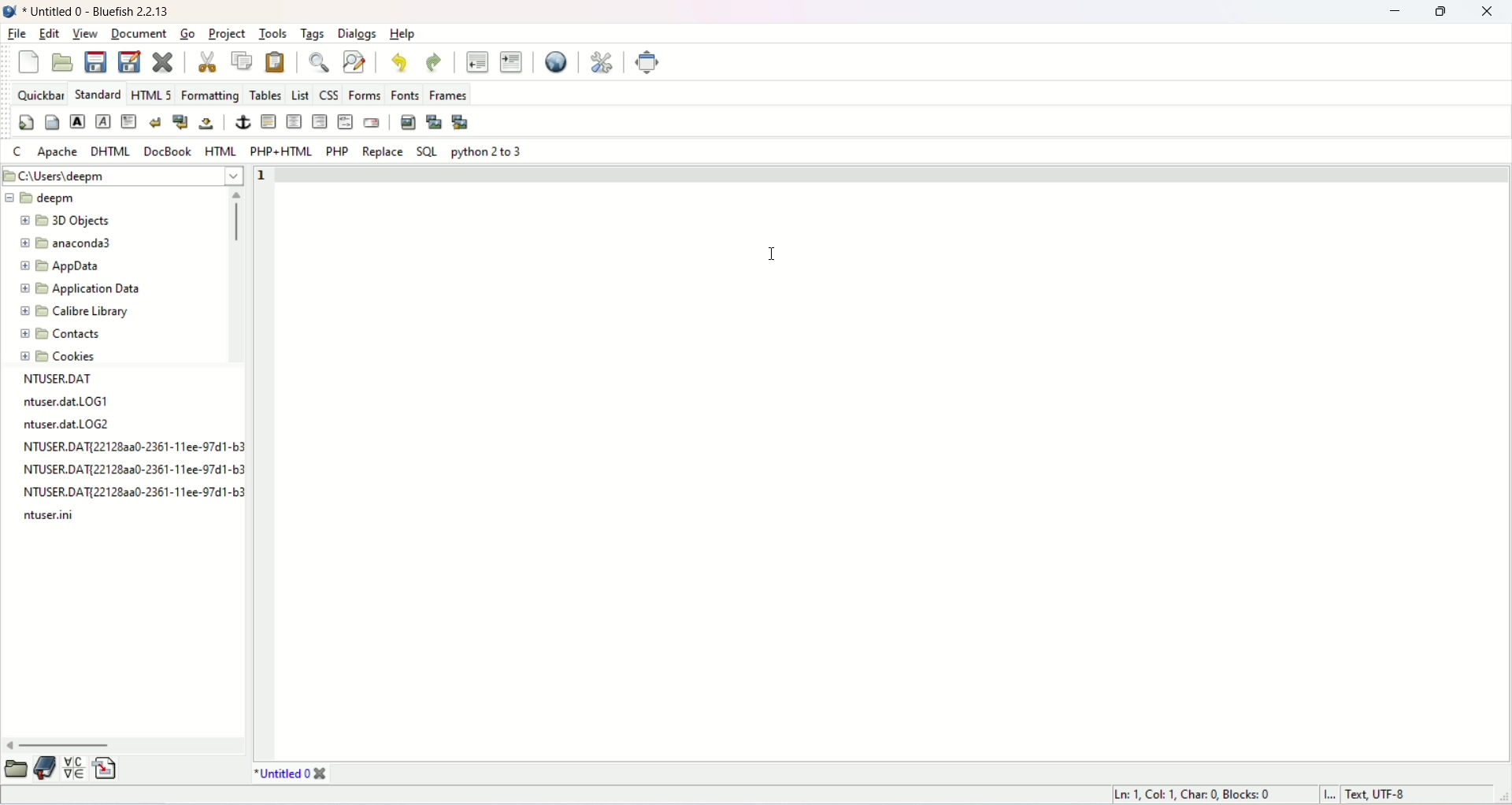 This screenshot has height=805, width=1512. What do you see at coordinates (115, 771) in the screenshot?
I see `insert file` at bounding box center [115, 771].